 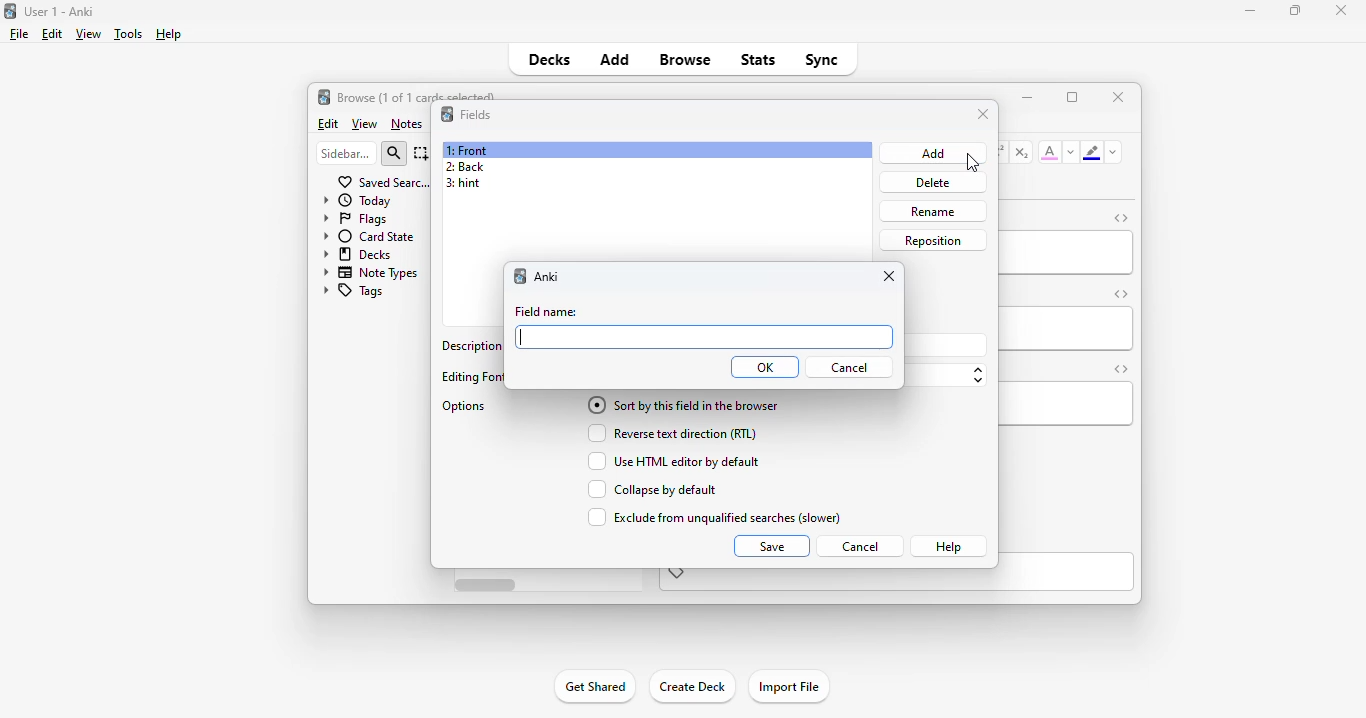 I want to click on title, so click(x=60, y=11).